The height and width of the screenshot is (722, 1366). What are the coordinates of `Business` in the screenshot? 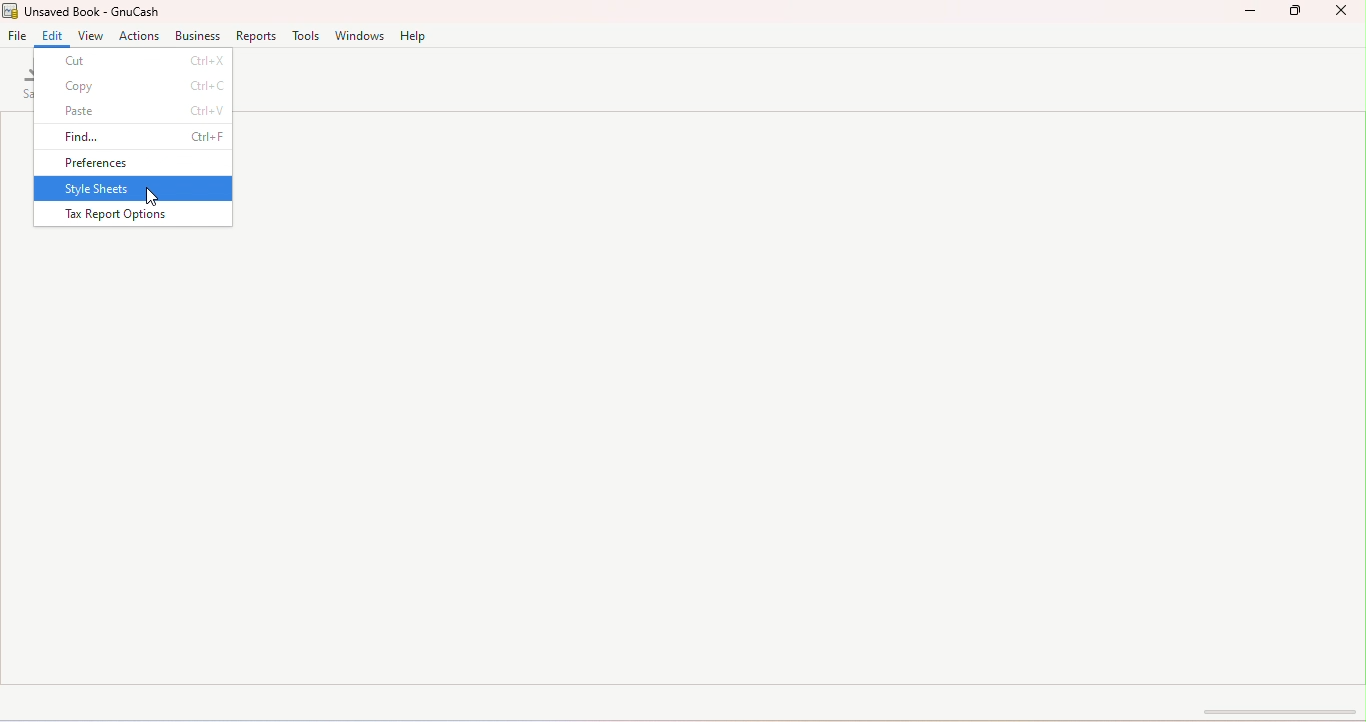 It's located at (195, 37).